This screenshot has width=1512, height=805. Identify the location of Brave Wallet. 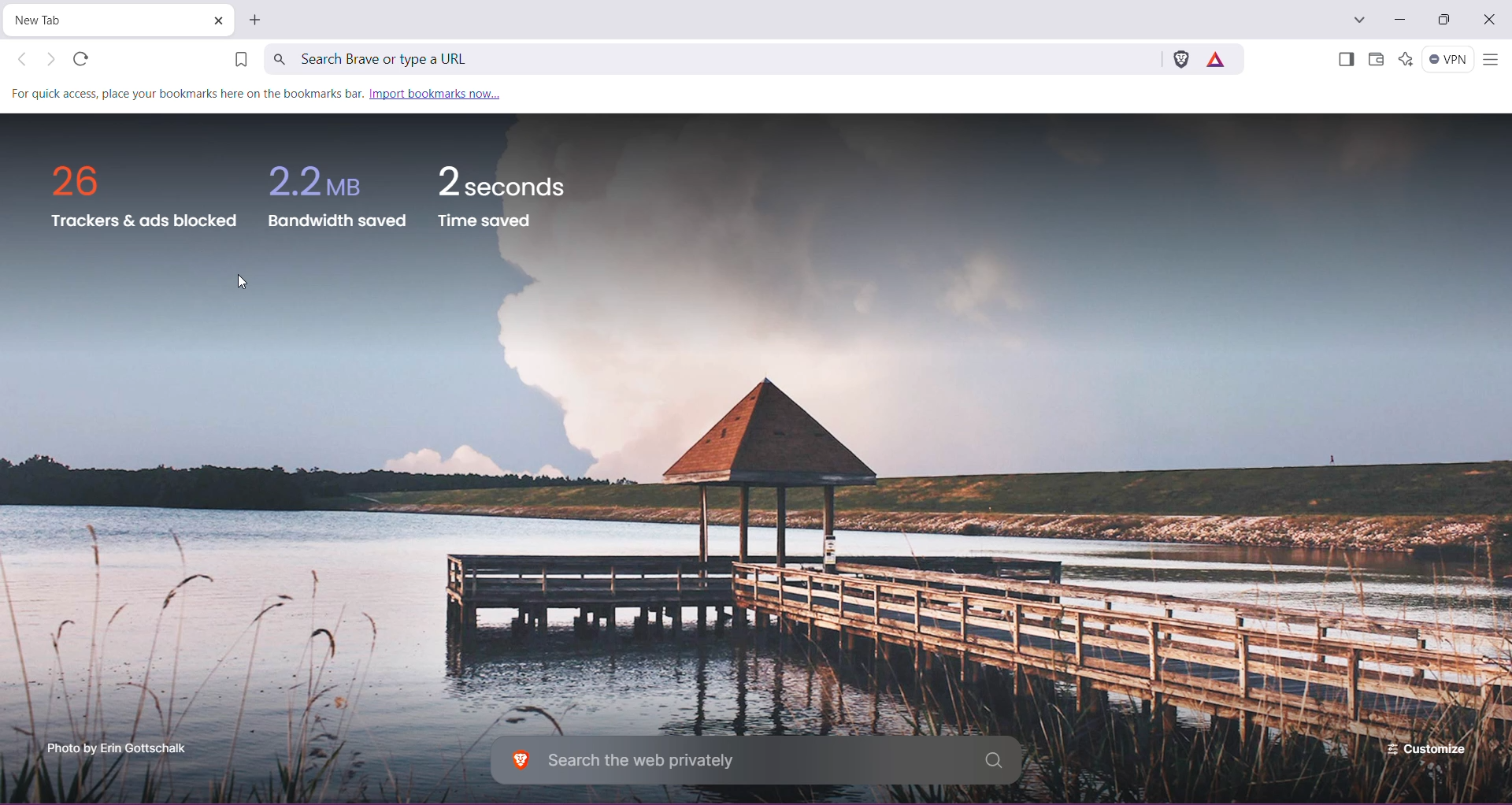
(1376, 59).